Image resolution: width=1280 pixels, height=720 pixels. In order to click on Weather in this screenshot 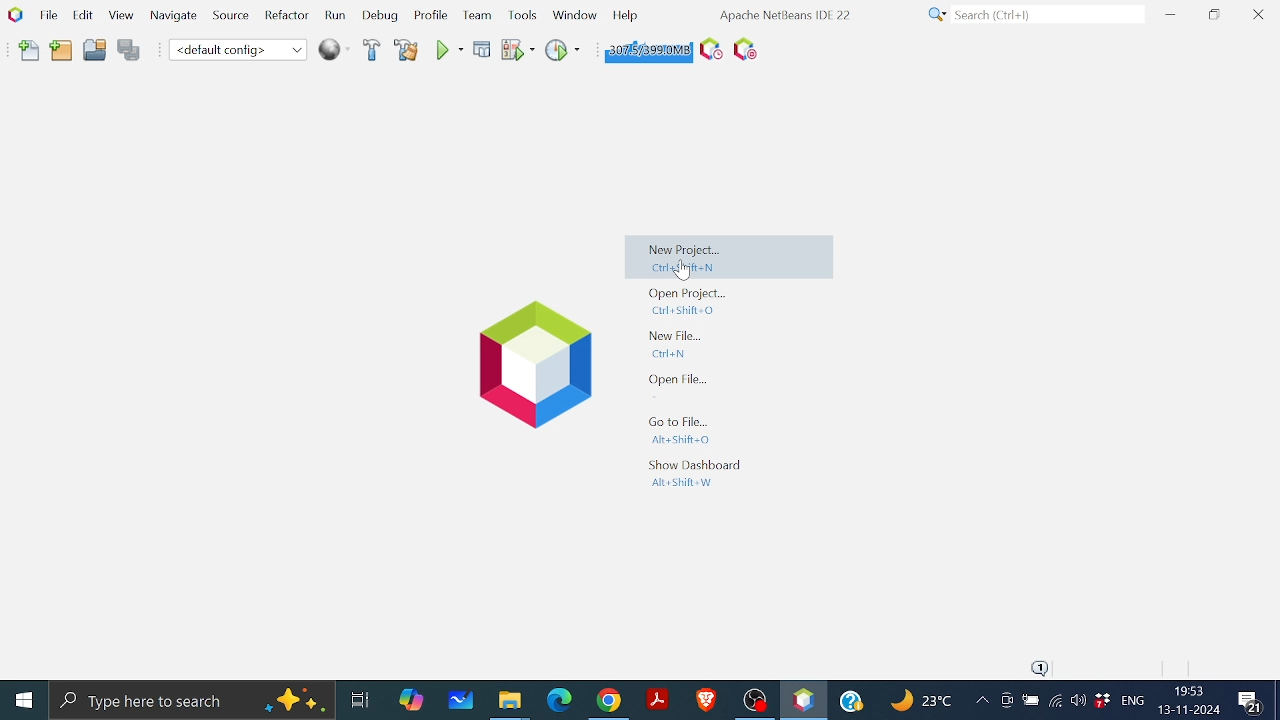, I will do `click(924, 703)`.